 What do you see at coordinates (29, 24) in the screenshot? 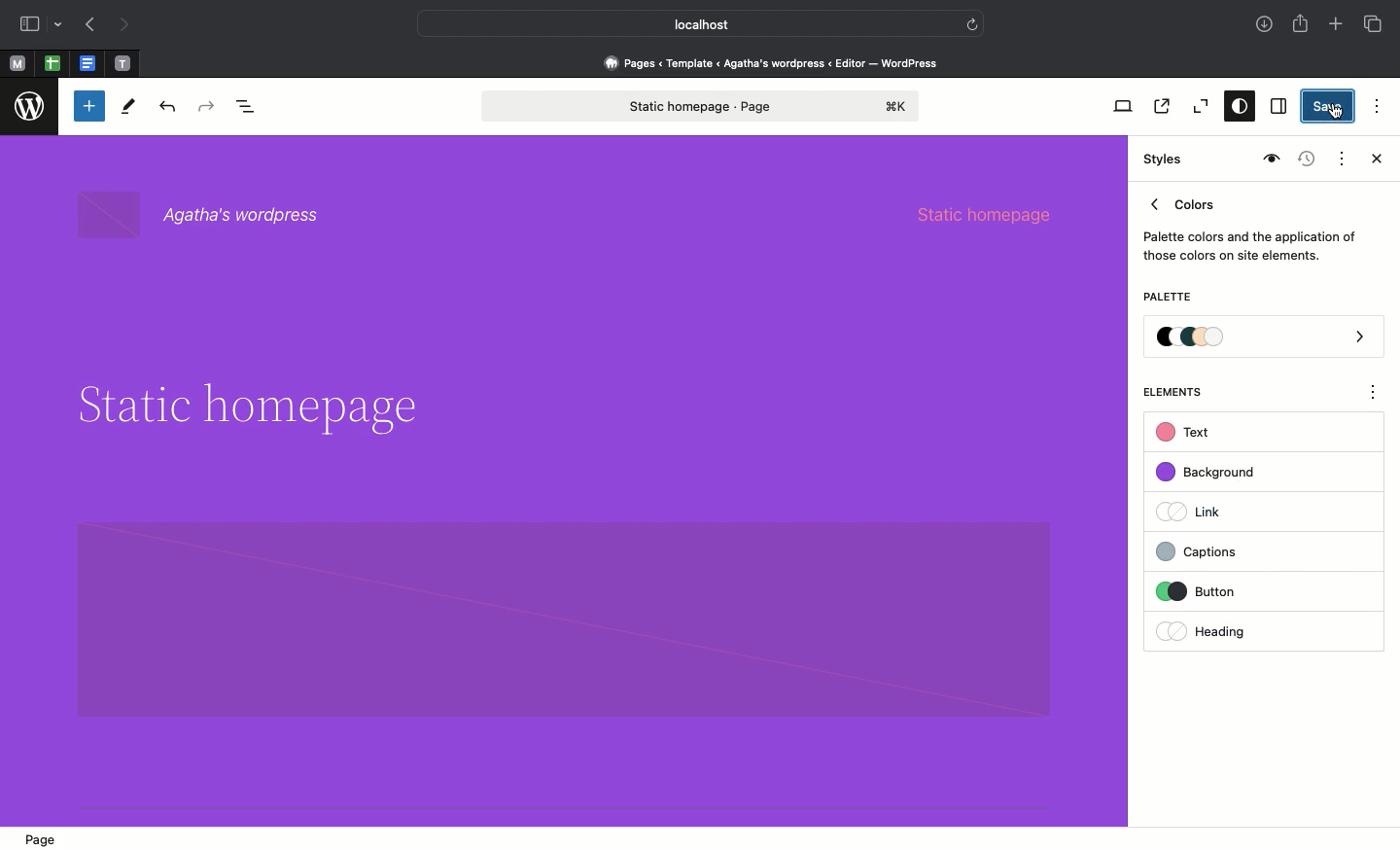
I see `Sidebar` at bounding box center [29, 24].